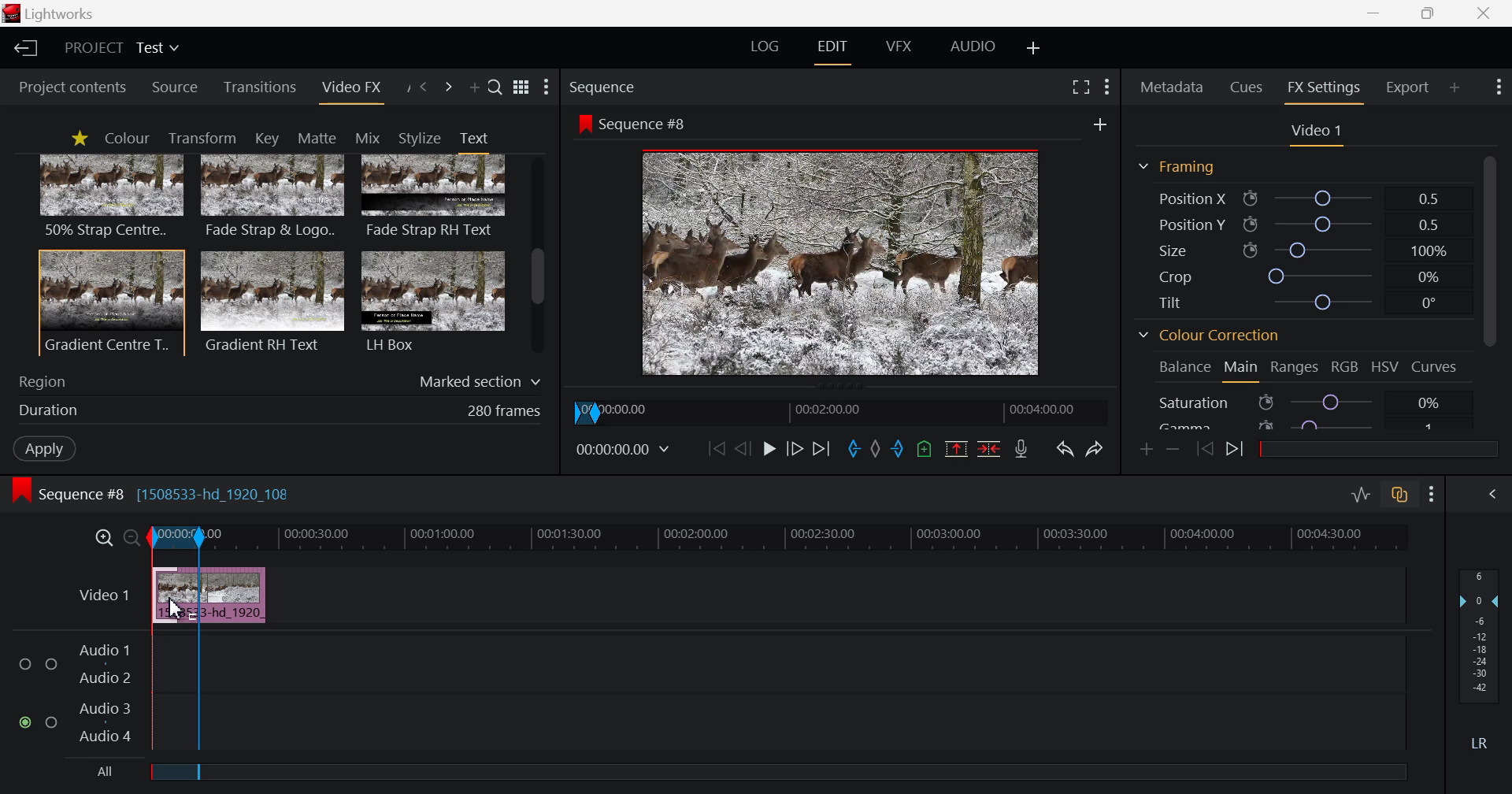 The height and width of the screenshot is (794, 1512). What do you see at coordinates (845, 409) in the screenshot?
I see `Project Timeline Navigator` at bounding box center [845, 409].